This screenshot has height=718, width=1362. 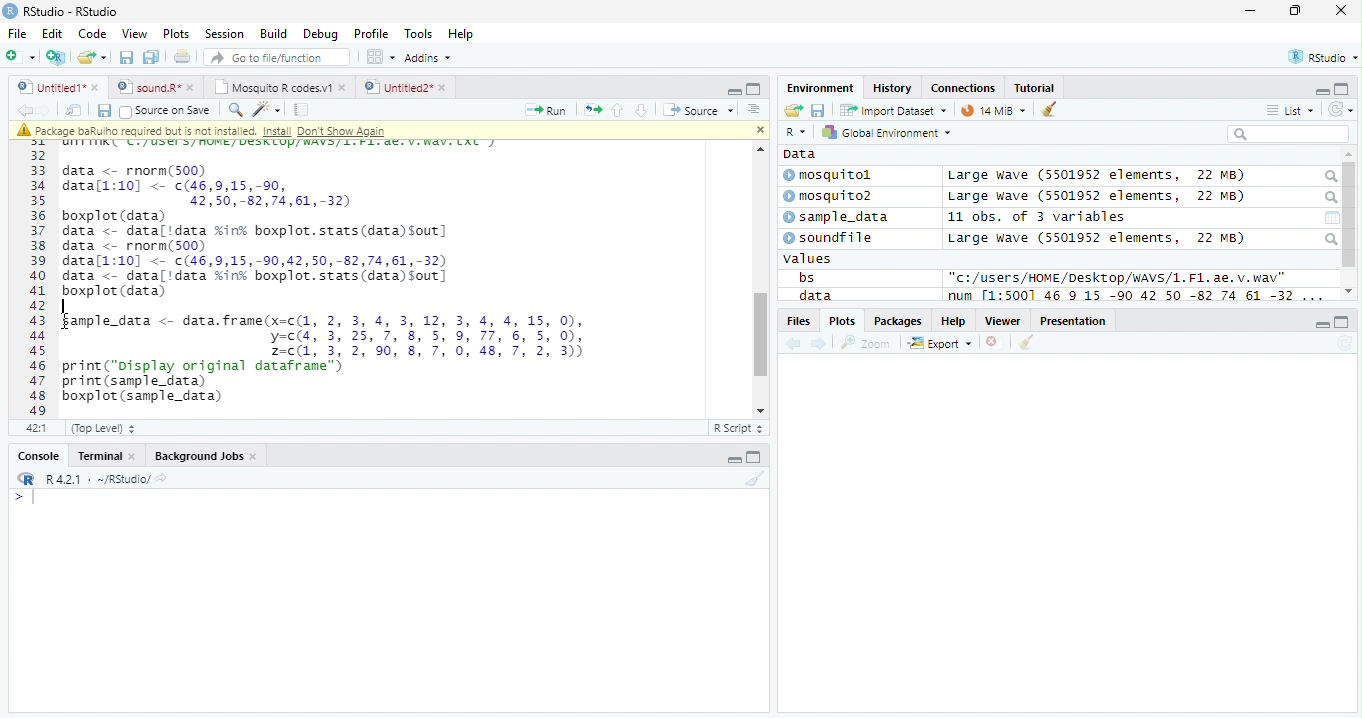 I want to click on scroll down, so click(x=1349, y=291).